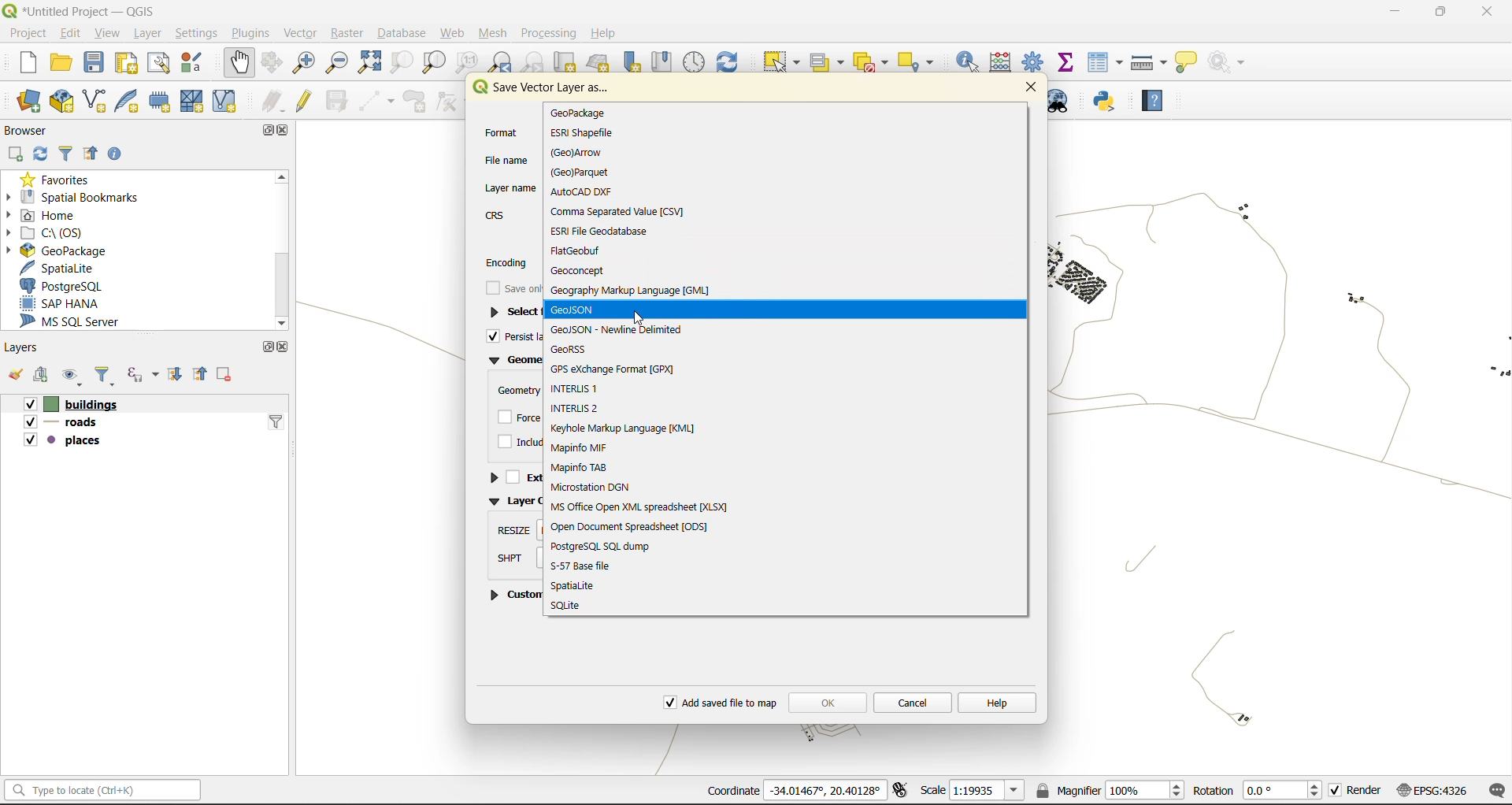  I want to click on close, so click(1487, 13).